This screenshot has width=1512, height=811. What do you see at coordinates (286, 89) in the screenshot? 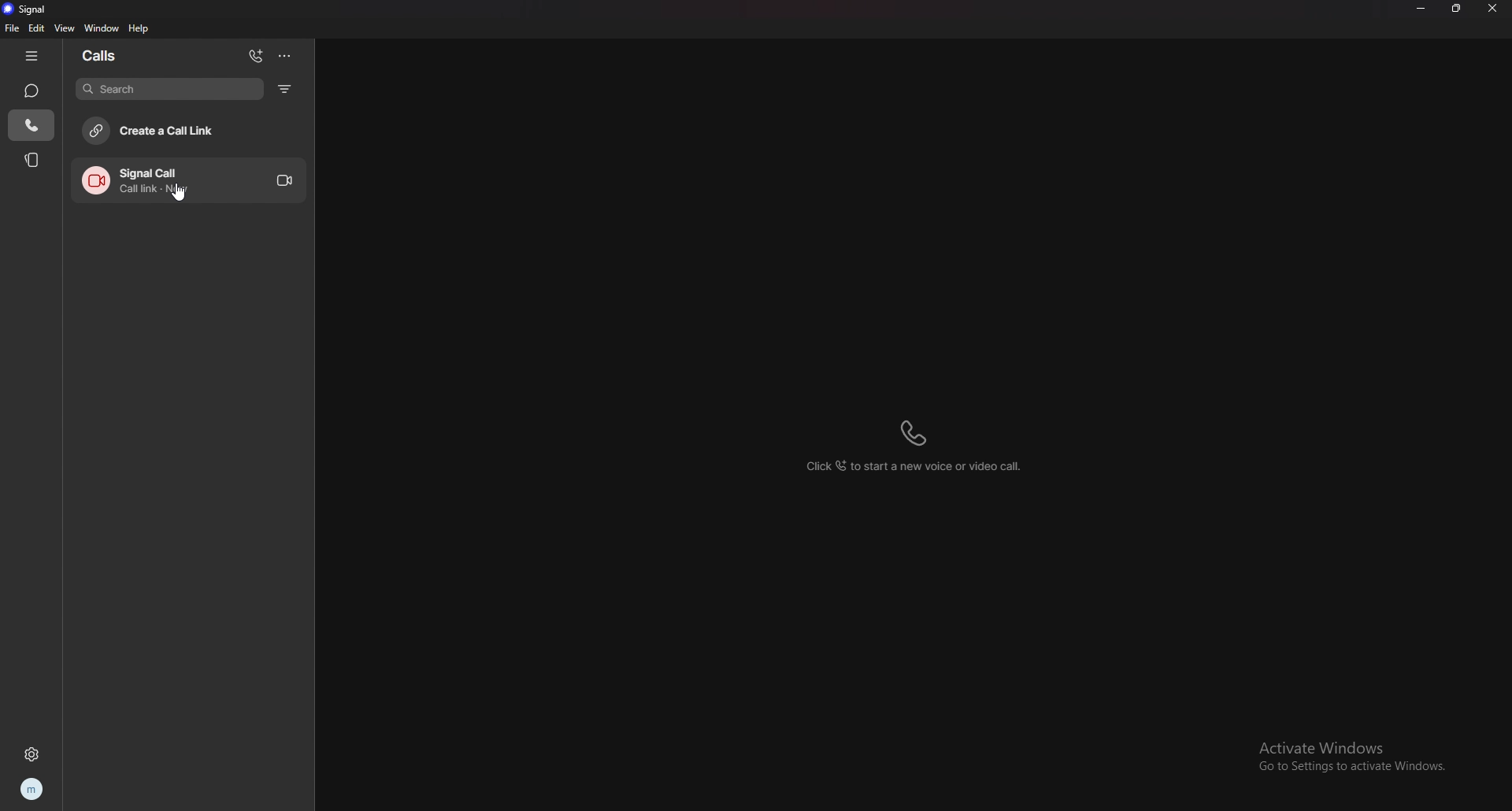
I see `filter` at bounding box center [286, 89].